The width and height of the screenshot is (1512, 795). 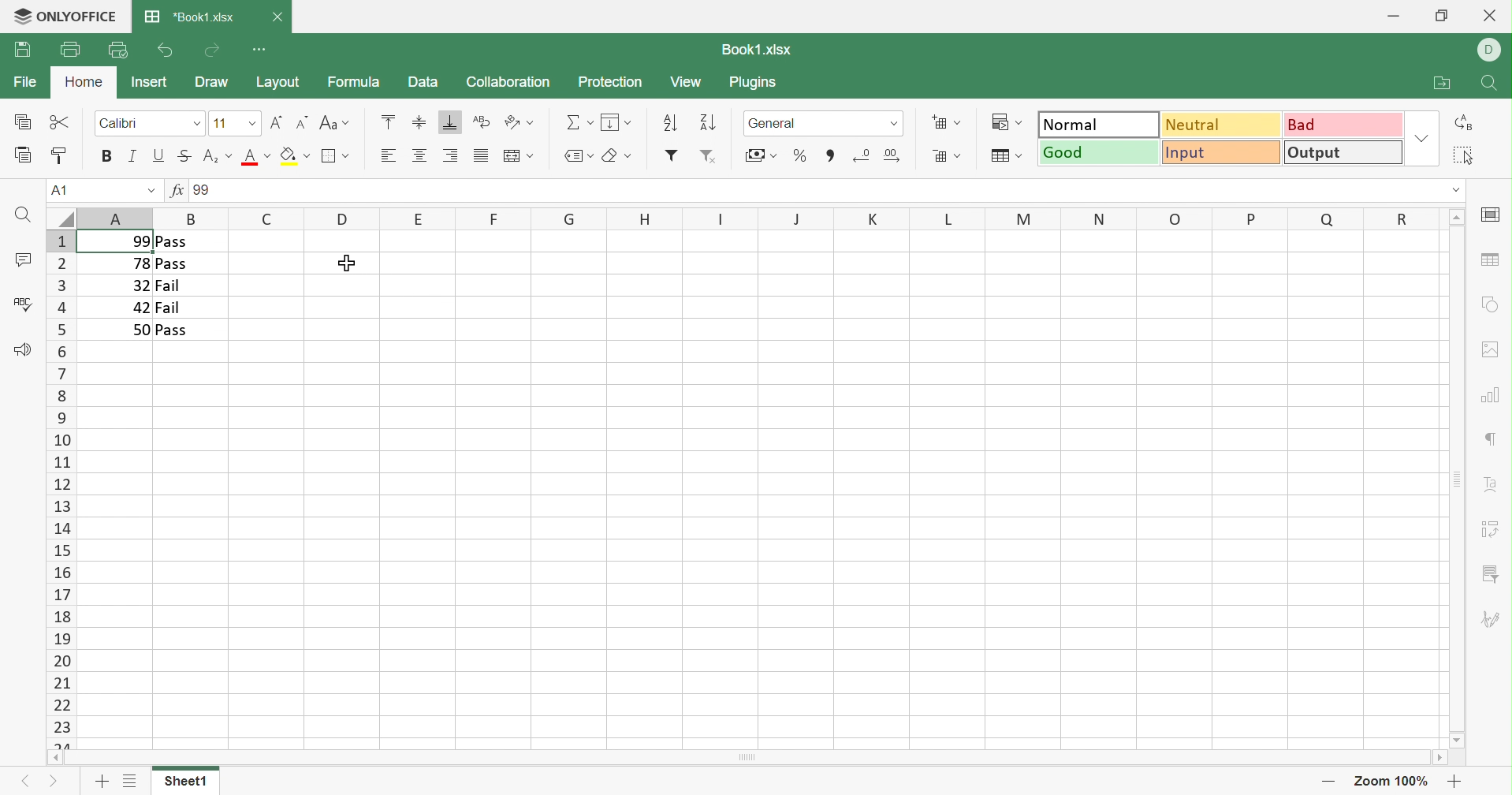 I want to click on Find, so click(x=1487, y=85).